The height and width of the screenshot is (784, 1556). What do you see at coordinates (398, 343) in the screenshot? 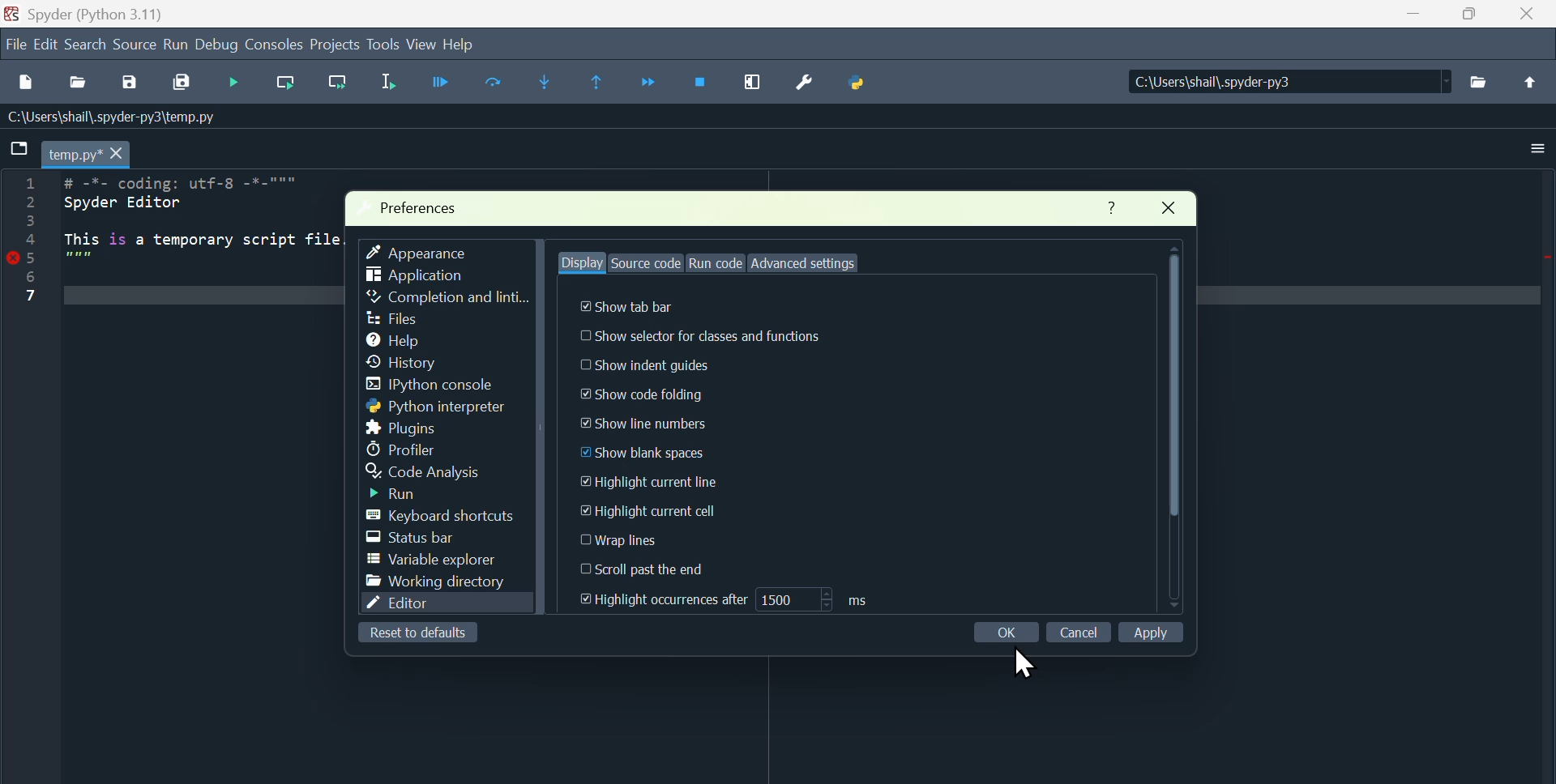
I see `help` at bounding box center [398, 343].